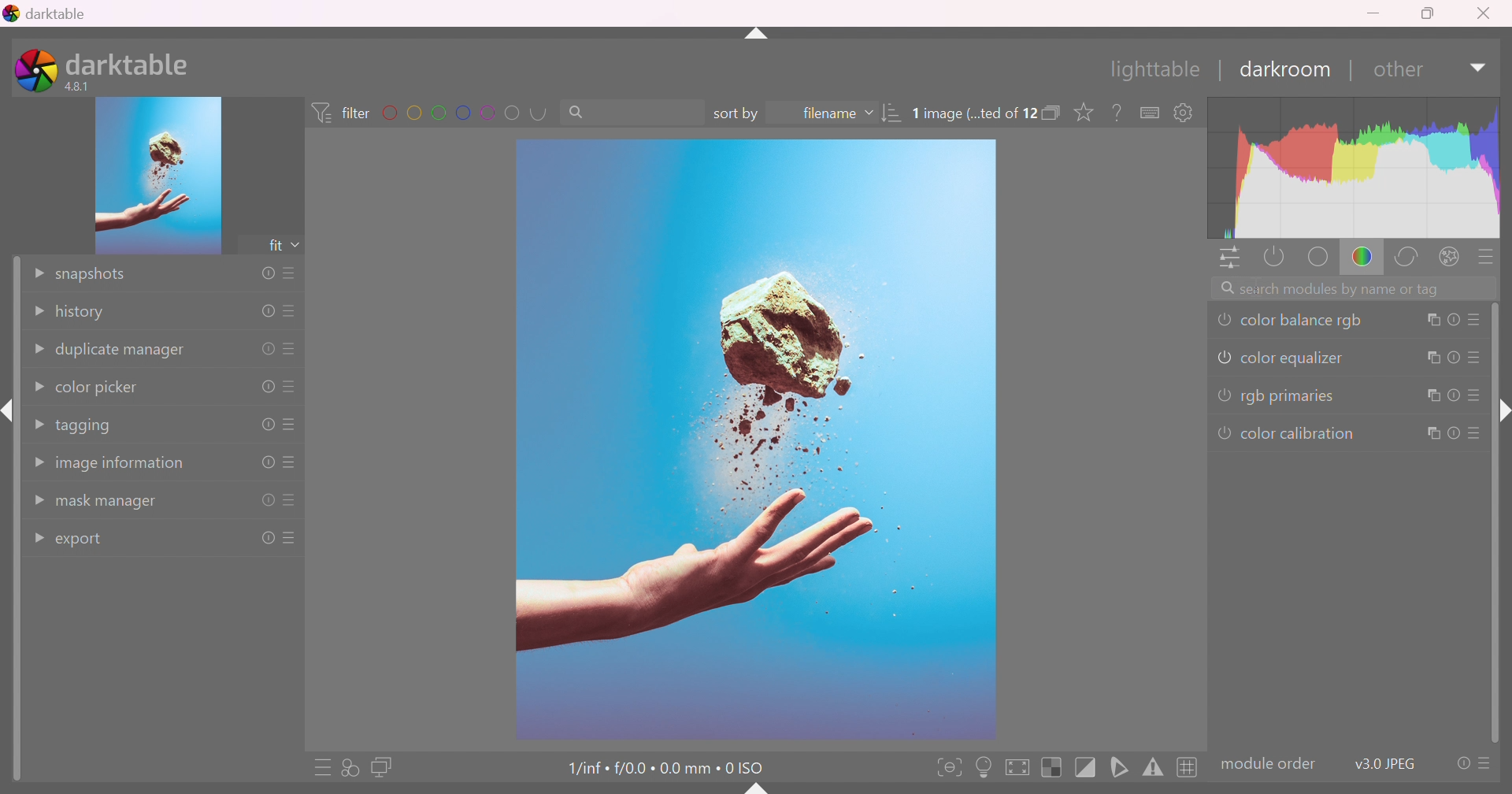 The height and width of the screenshot is (794, 1512). I want to click on shift+ctrl+i, so click(9, 411).